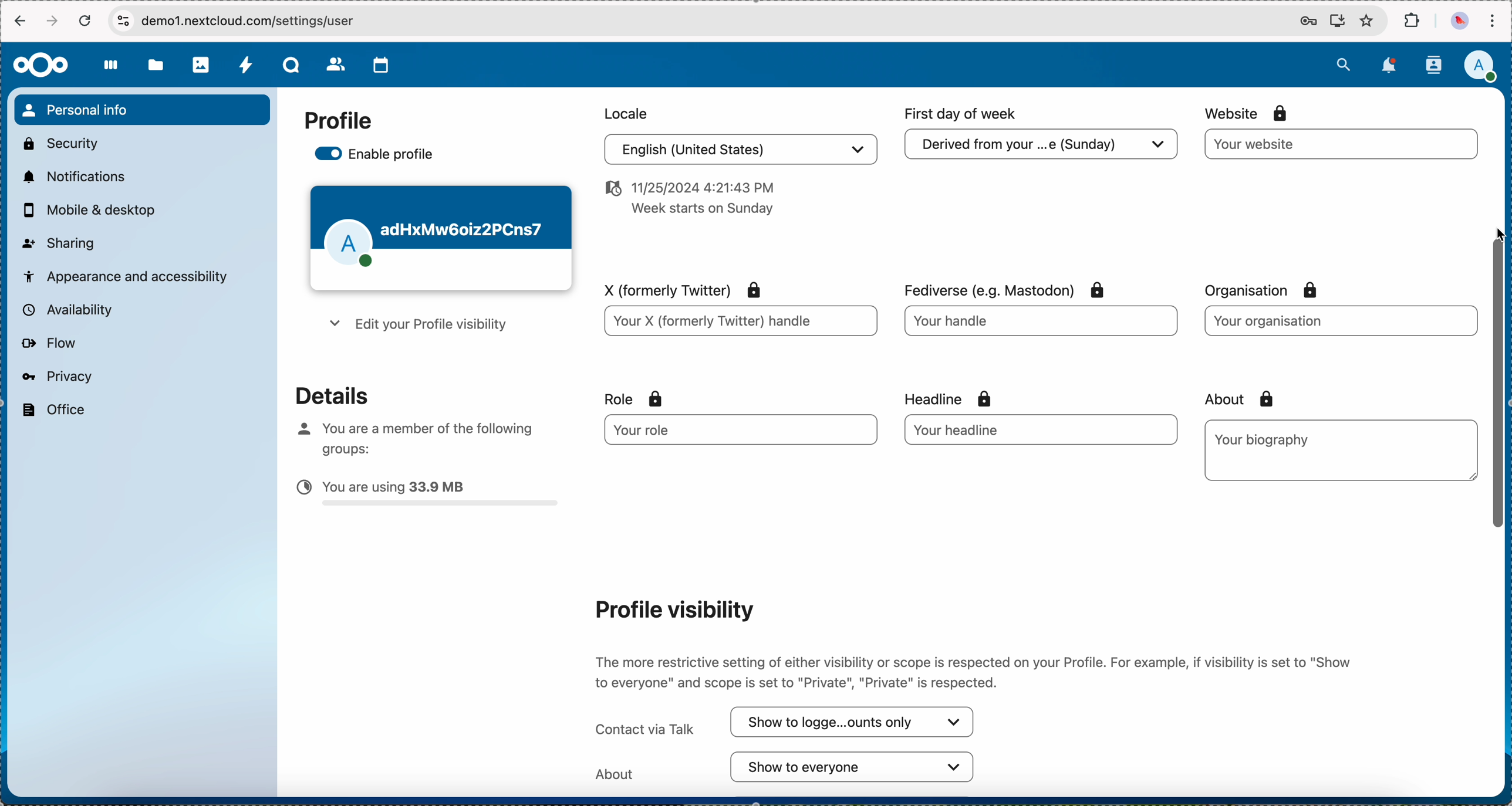 The height and width of the screenshot is (806, 1512). Describe the element at coordinates (786, 767) in the screenshot. I see `about` at that location.